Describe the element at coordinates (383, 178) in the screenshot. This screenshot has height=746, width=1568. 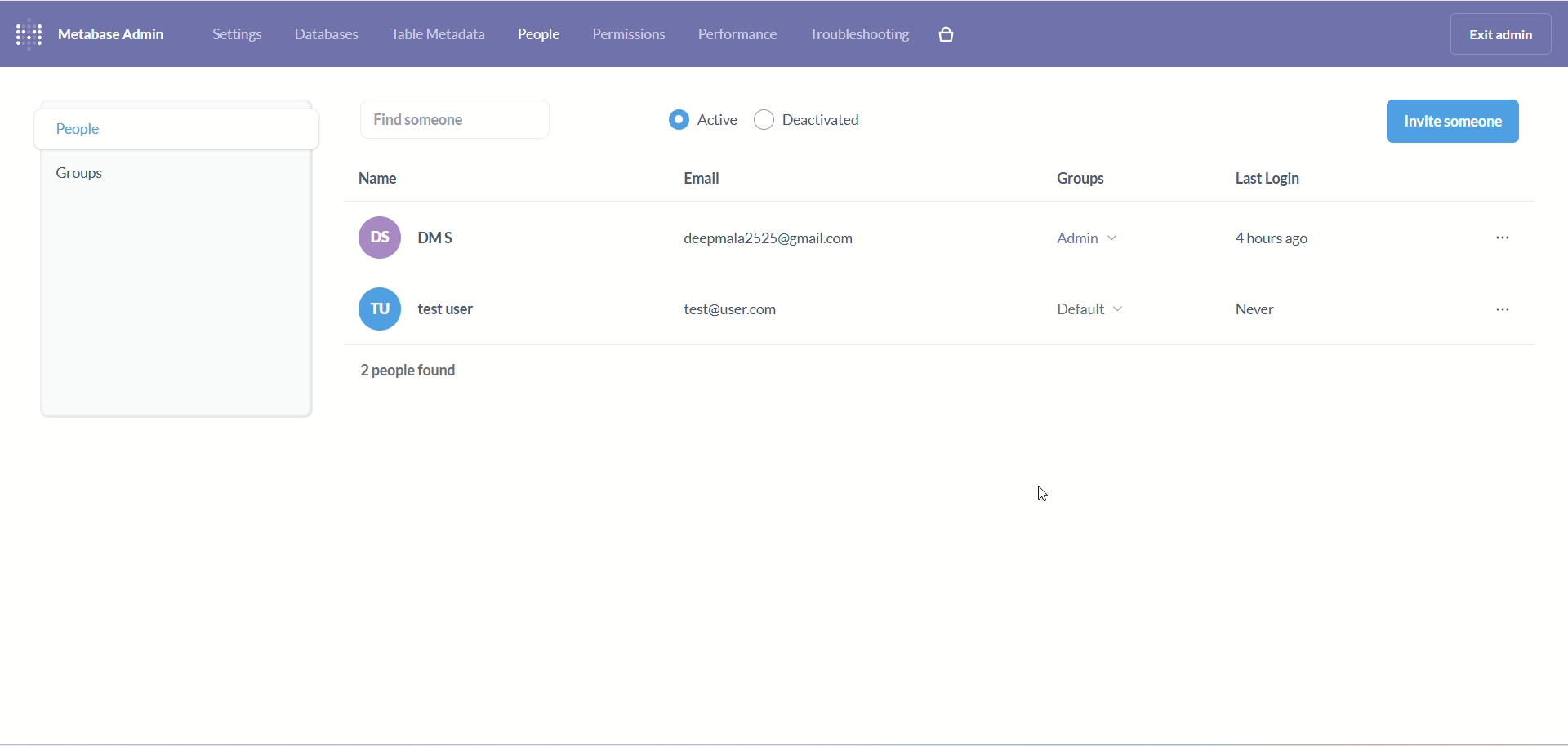
I see `name` at that location.